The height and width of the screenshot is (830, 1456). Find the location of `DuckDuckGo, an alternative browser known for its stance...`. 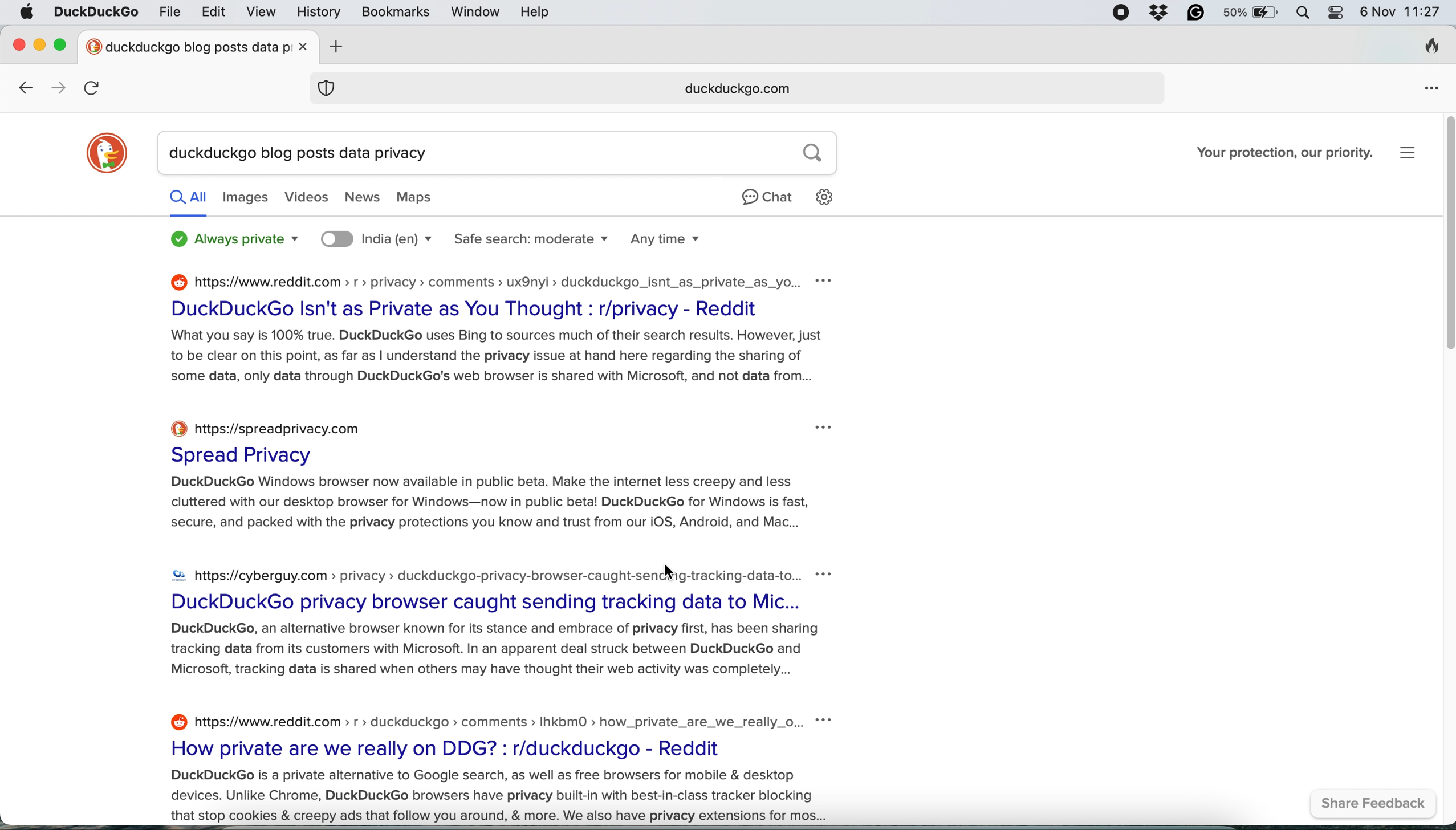

DuckDuckGo, an alternative browser known for its stance... is located at coordinates (491, 653).